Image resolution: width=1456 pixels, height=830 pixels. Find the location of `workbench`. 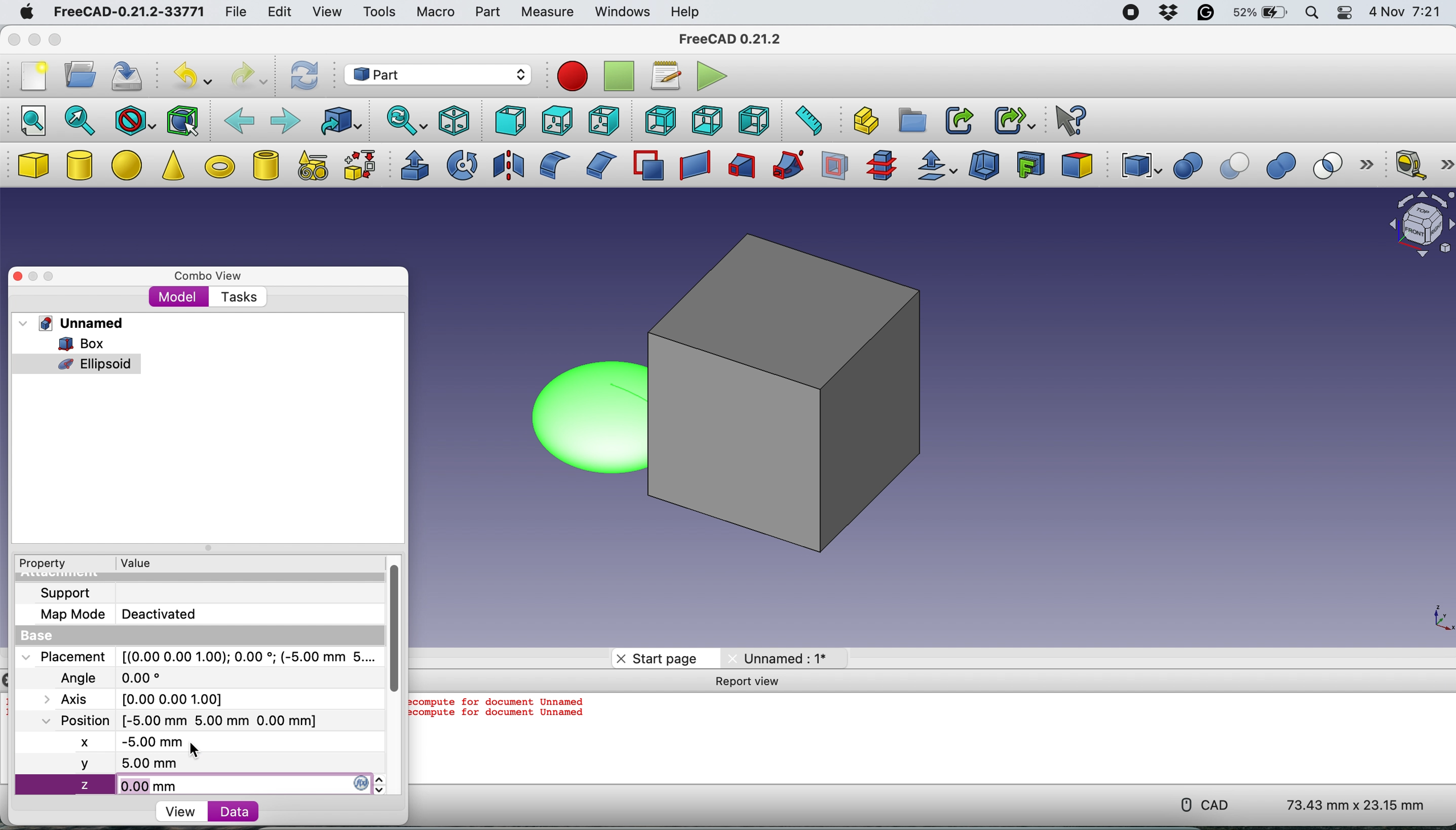

workbench is located at coordinates (437, 74).